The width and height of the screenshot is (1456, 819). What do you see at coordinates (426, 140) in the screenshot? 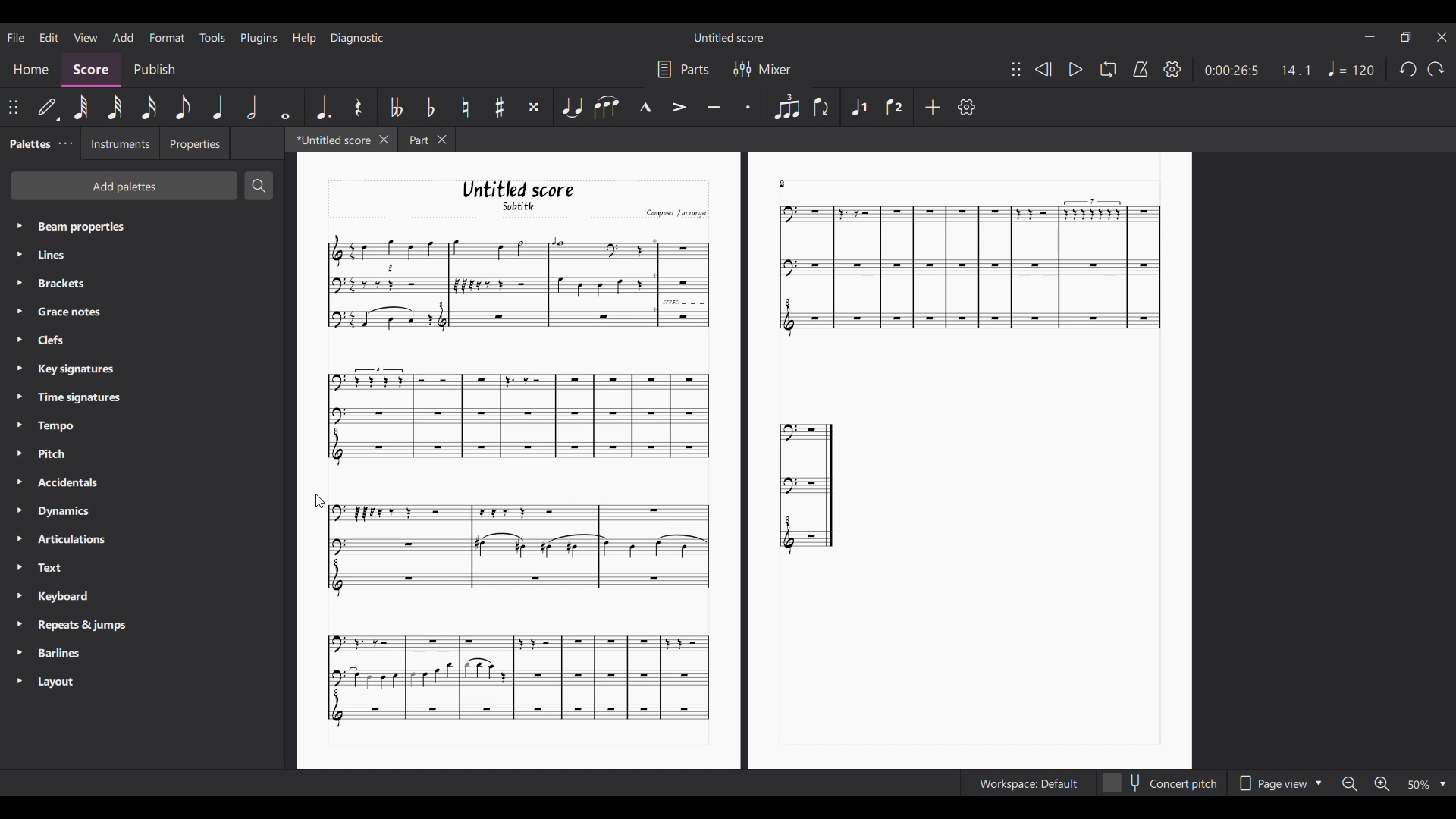
I see `Part X` at bounding box center [426, 140].